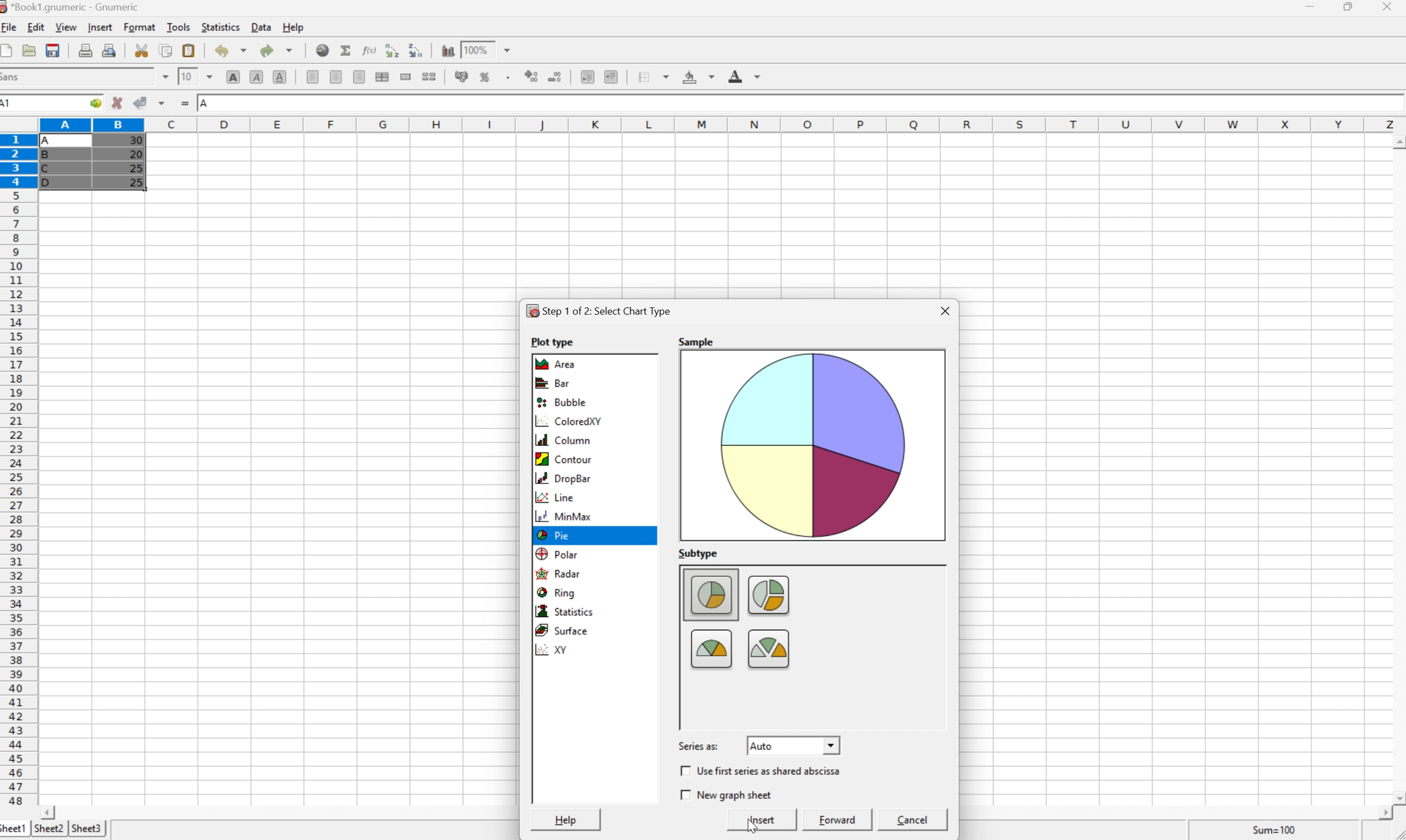 The height and width of the screenshot is (840, 1406). Describe the element at coordinates (1310, 6) in the screenshot. I see `Minimize` at that location.